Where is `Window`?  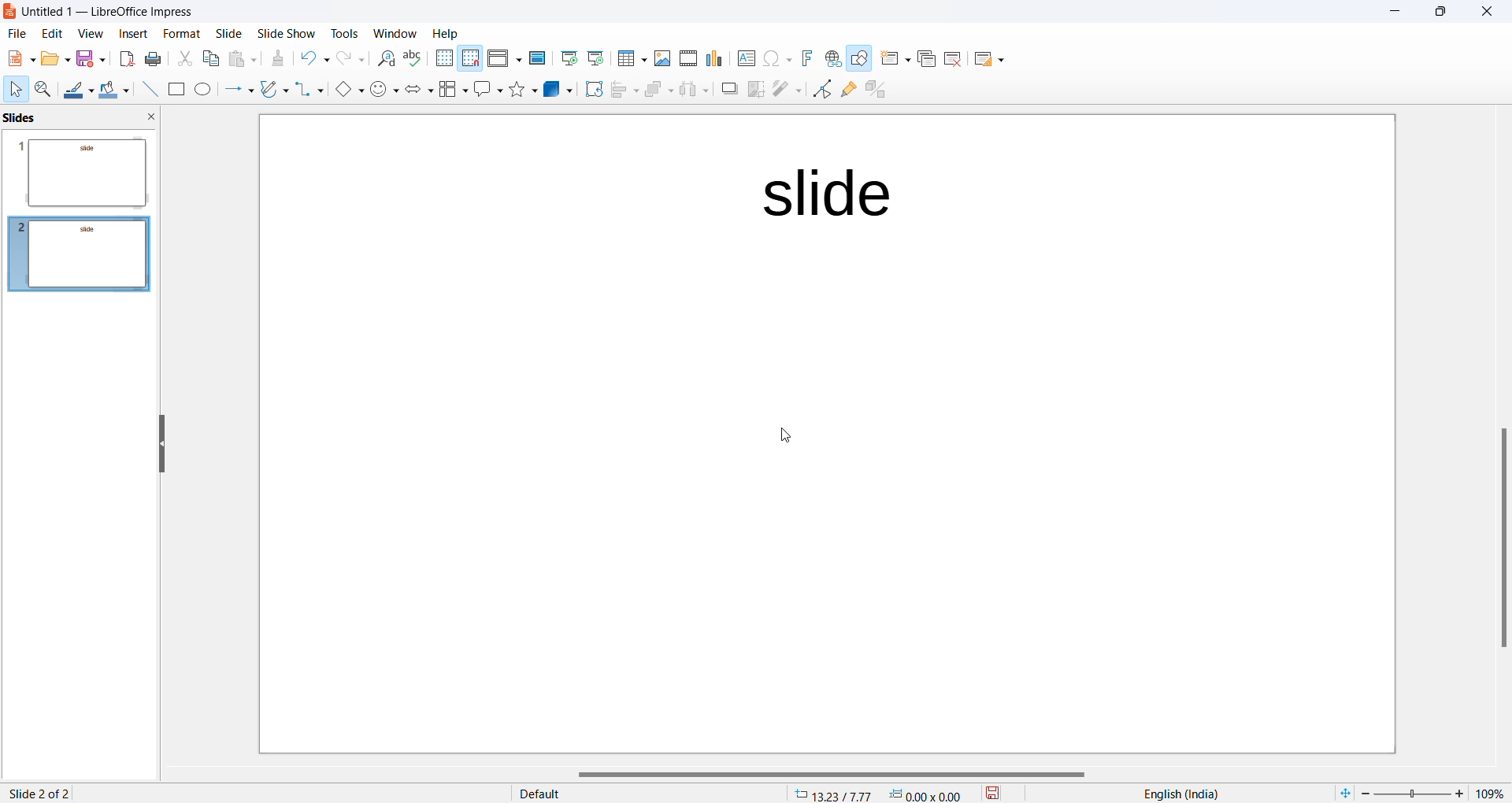
Window is located at coordinates (391, 31).